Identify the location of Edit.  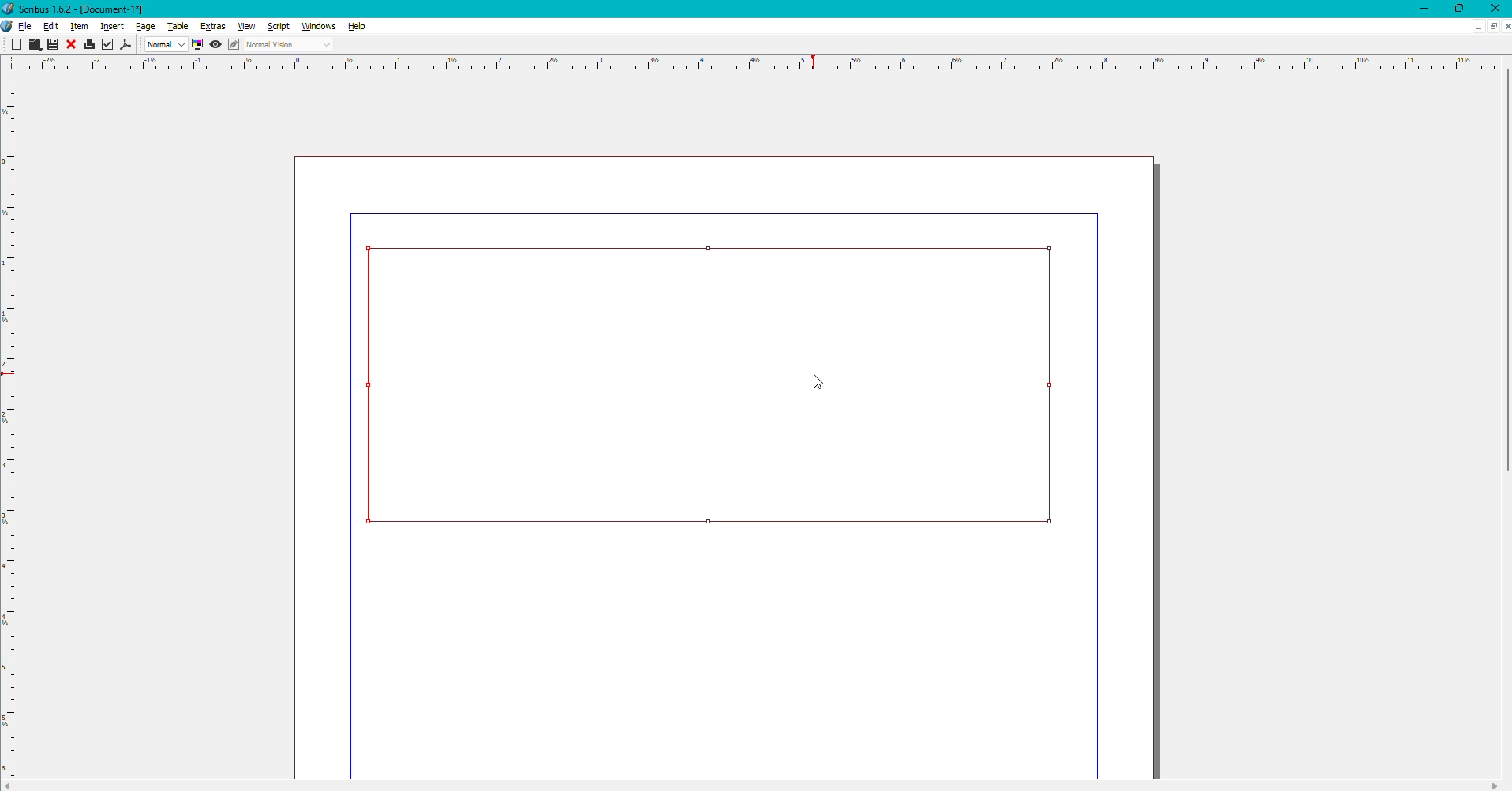
(51, 27).